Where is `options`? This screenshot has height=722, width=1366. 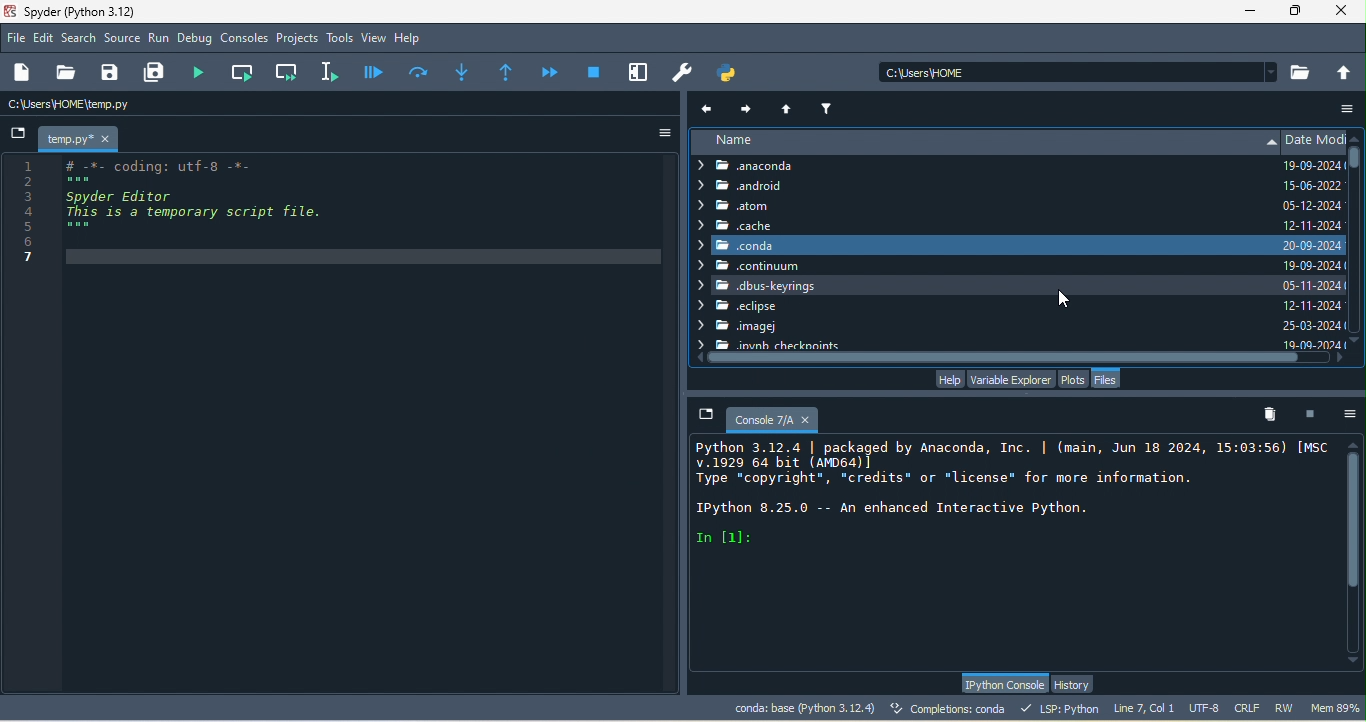
options is located at coordinates (657, 133).